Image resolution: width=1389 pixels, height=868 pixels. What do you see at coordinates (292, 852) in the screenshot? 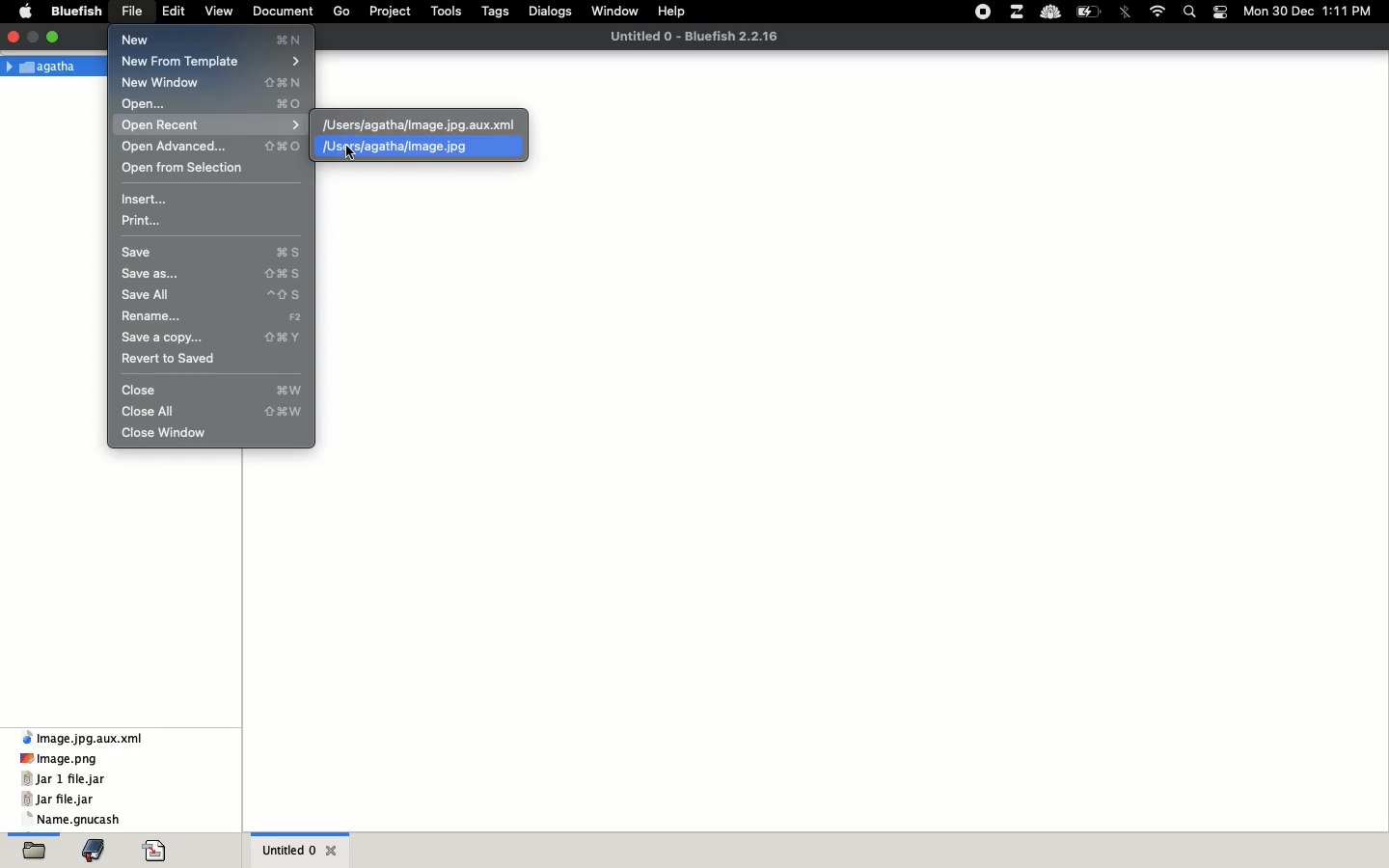
I see `untitled 0` at bounding box center [292, 852].